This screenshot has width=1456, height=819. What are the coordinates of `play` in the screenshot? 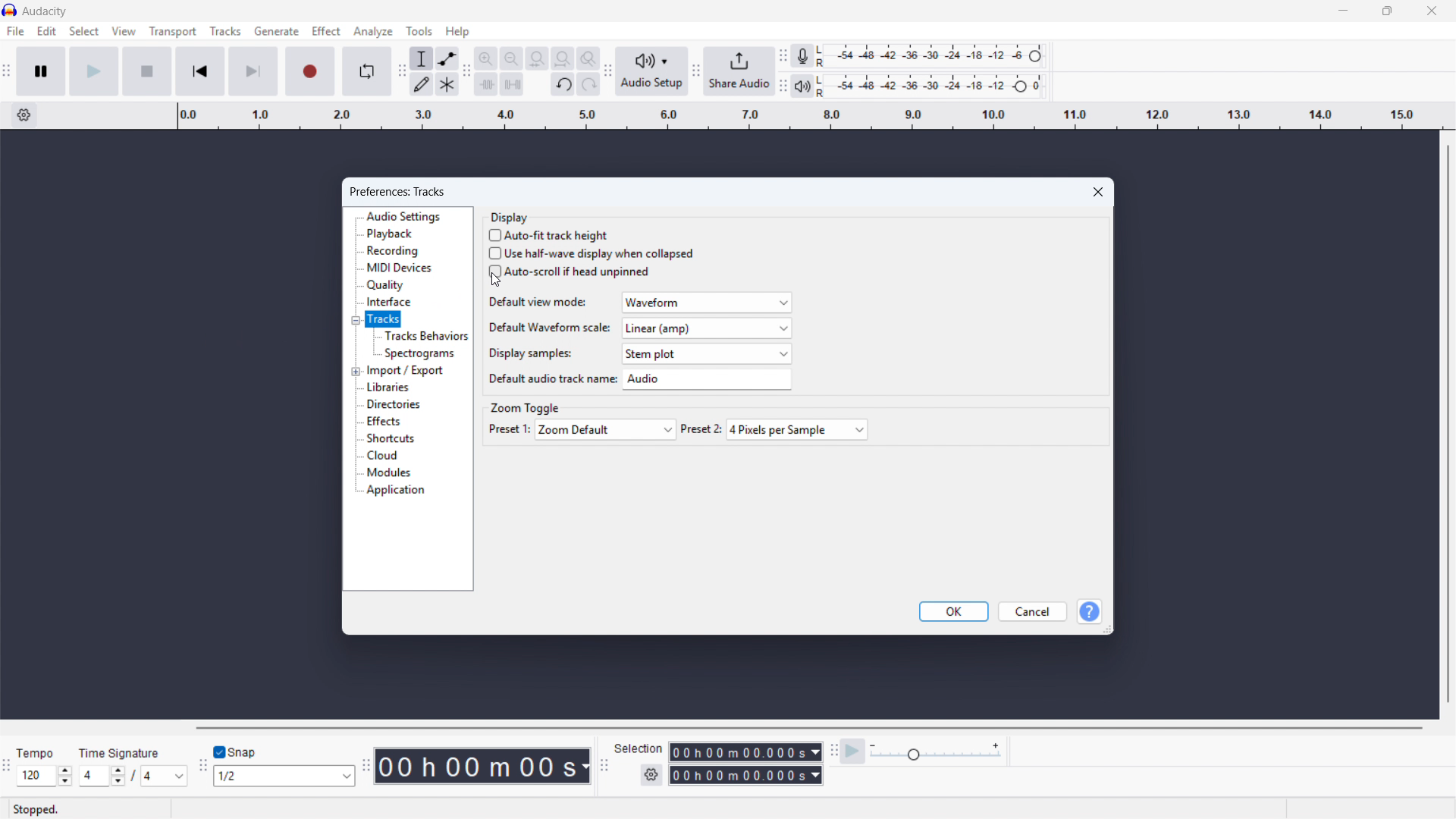 It's located at (94, 71).